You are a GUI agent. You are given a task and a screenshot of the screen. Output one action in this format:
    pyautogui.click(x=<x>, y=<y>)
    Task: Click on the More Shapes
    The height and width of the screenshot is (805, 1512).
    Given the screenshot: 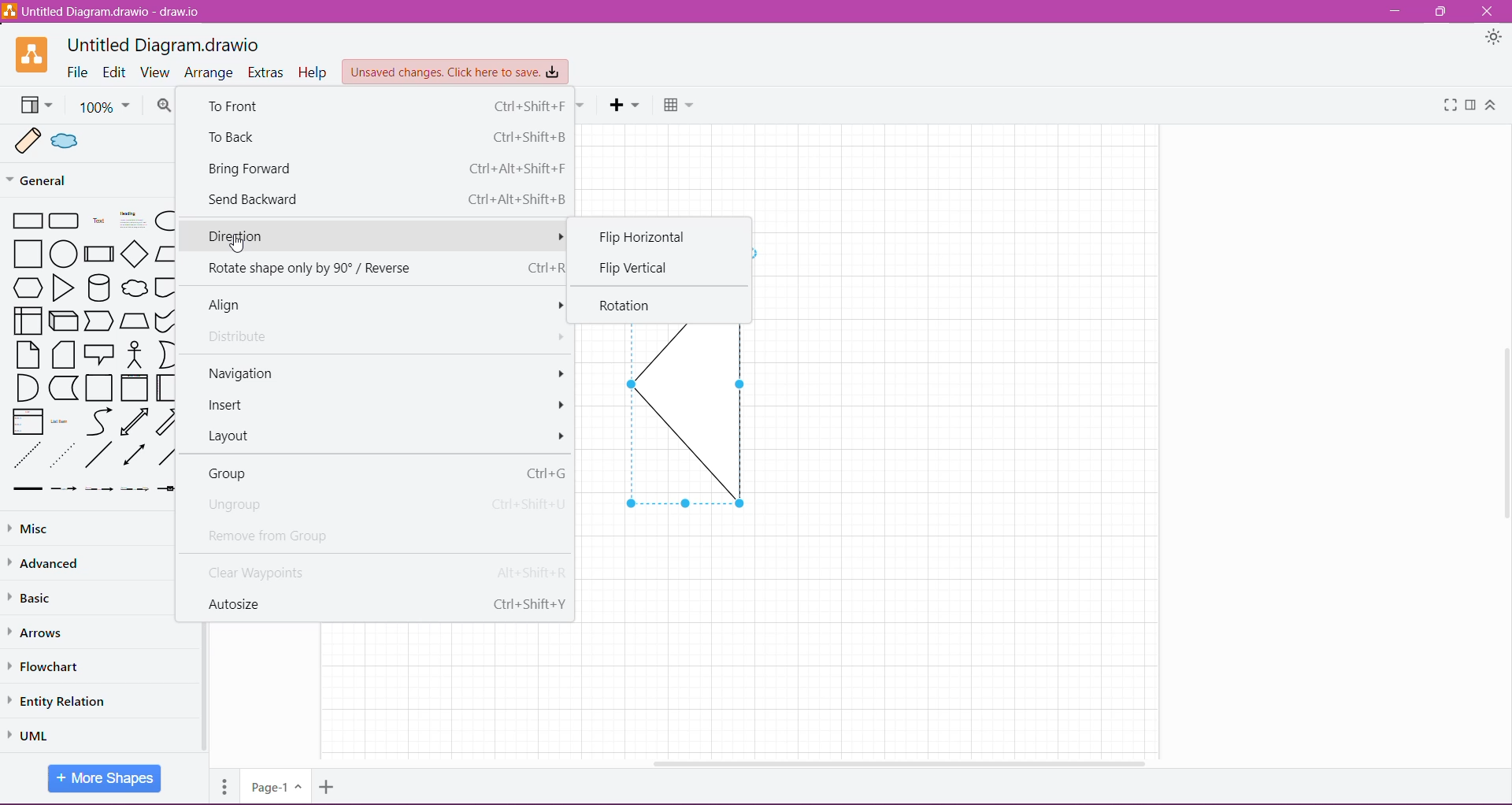 What is the action you would take?
    pyautogui.click(x=106, y=778)
    